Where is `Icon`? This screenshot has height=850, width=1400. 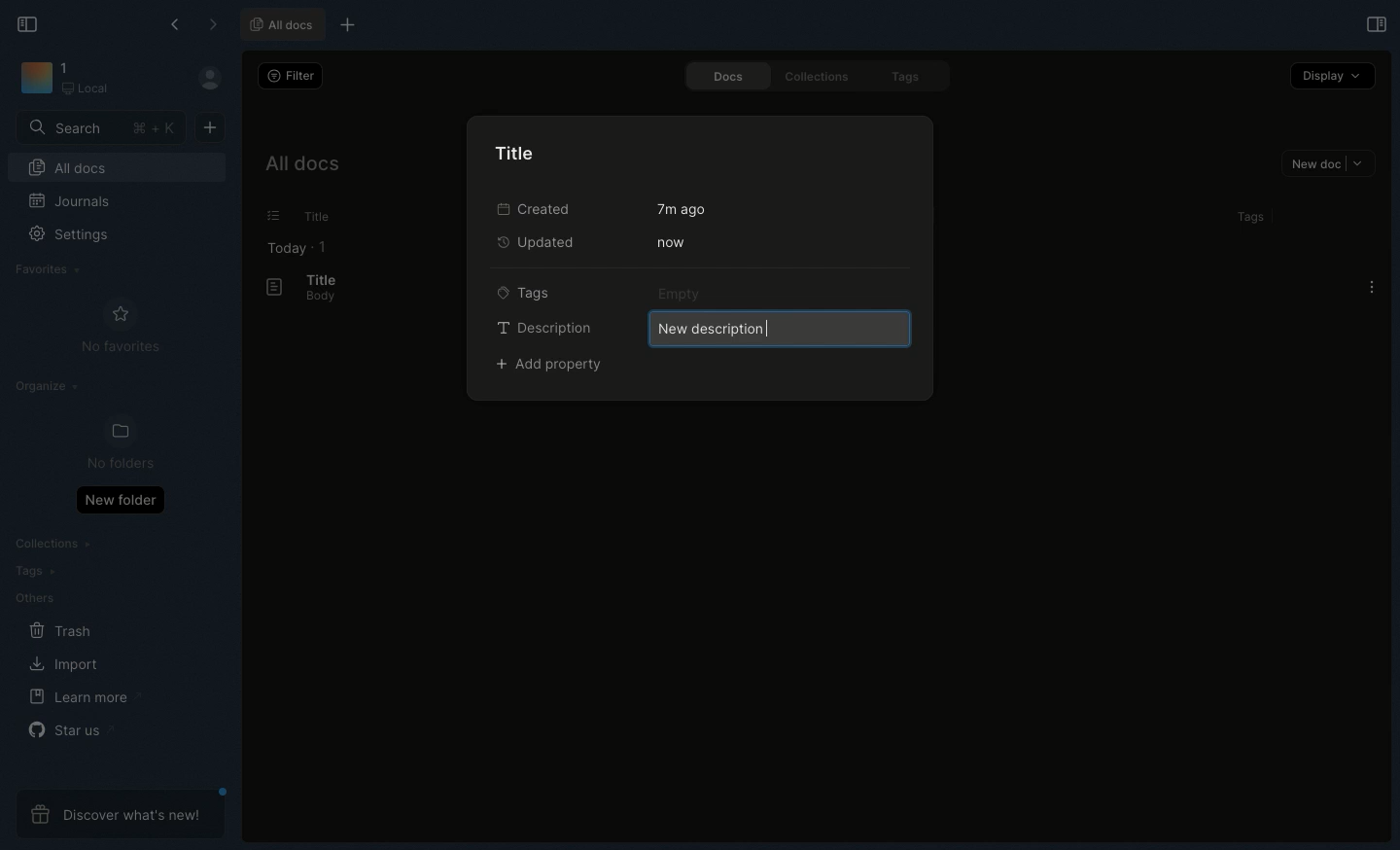 Icon is located at coordinates (35, 79).